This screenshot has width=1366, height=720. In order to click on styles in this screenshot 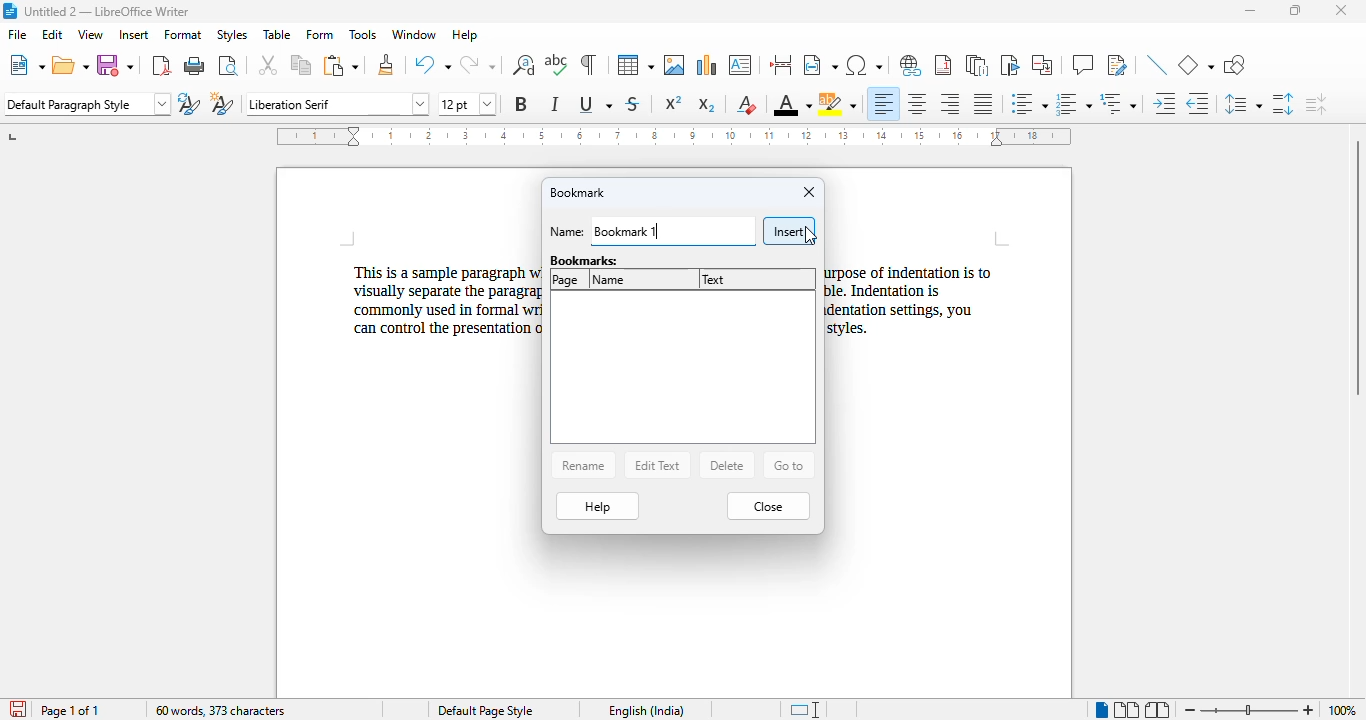, I will do `click(231, 34)`.